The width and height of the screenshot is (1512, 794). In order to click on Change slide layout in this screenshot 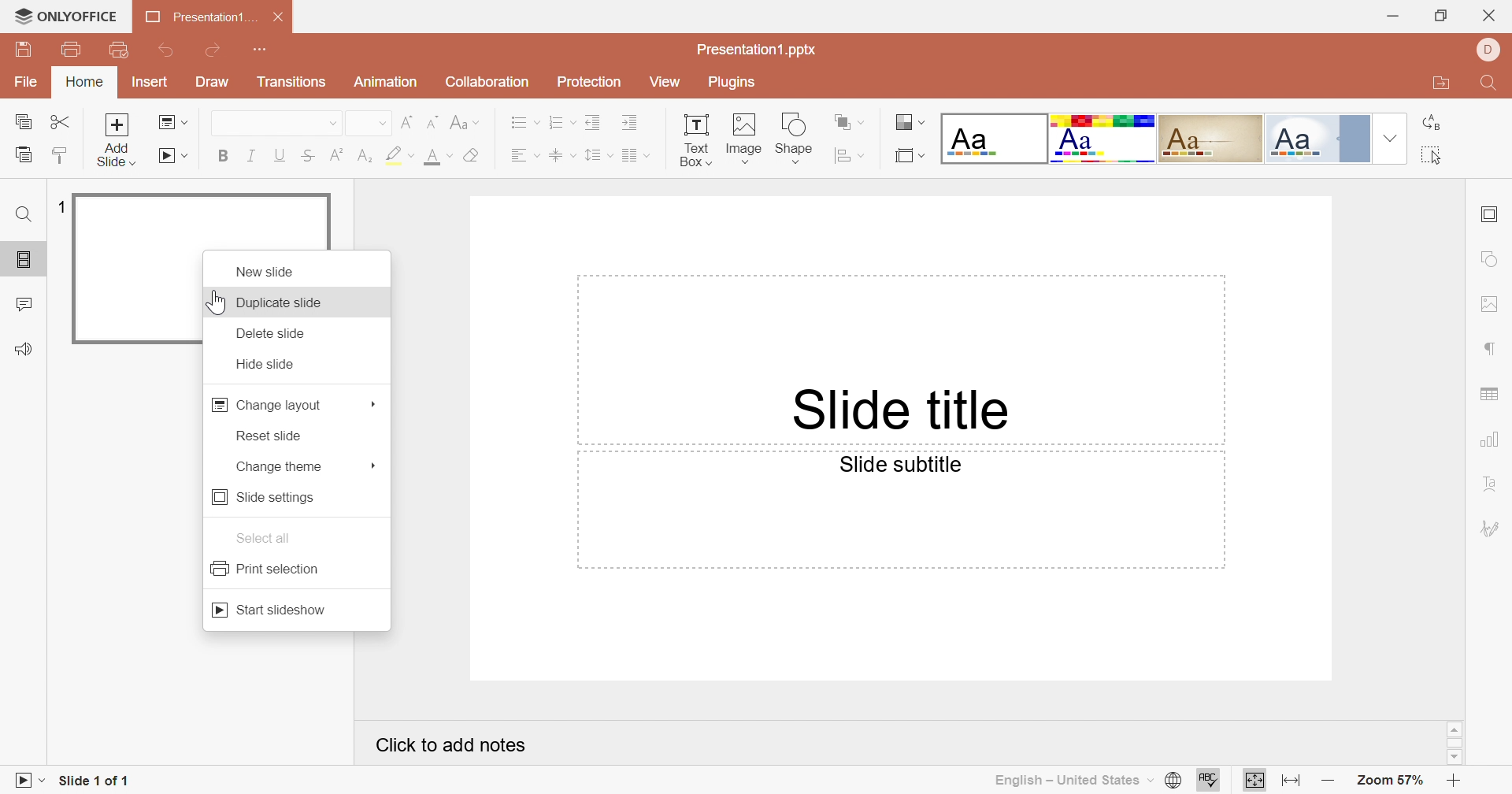, I will do `click(169, 122)`.